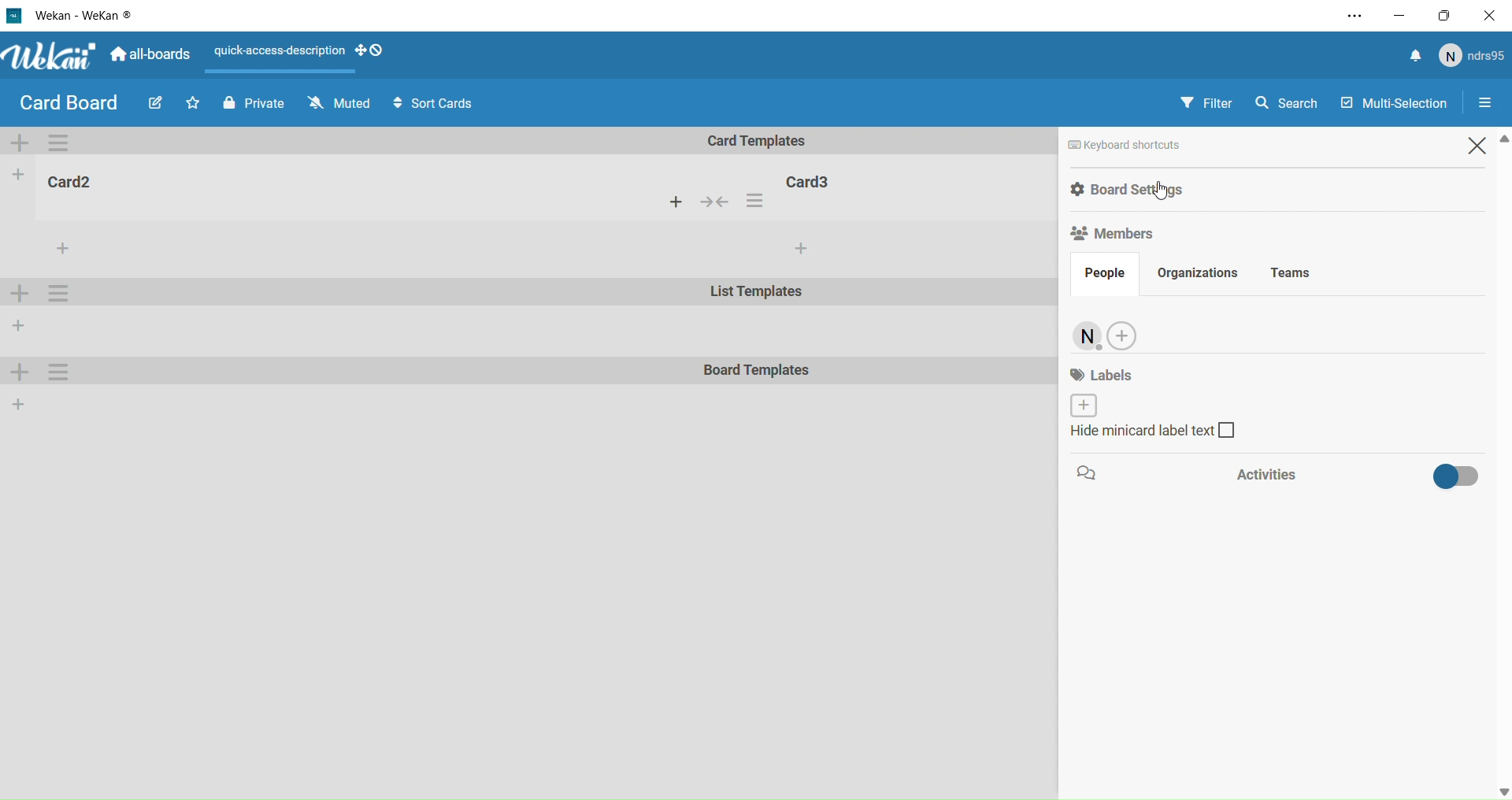 The width and height of the screenshot is (1512, 800). What do you see at coordinates (17, 329) in the screenshot?
I see `` at bounding box center [17, 329].